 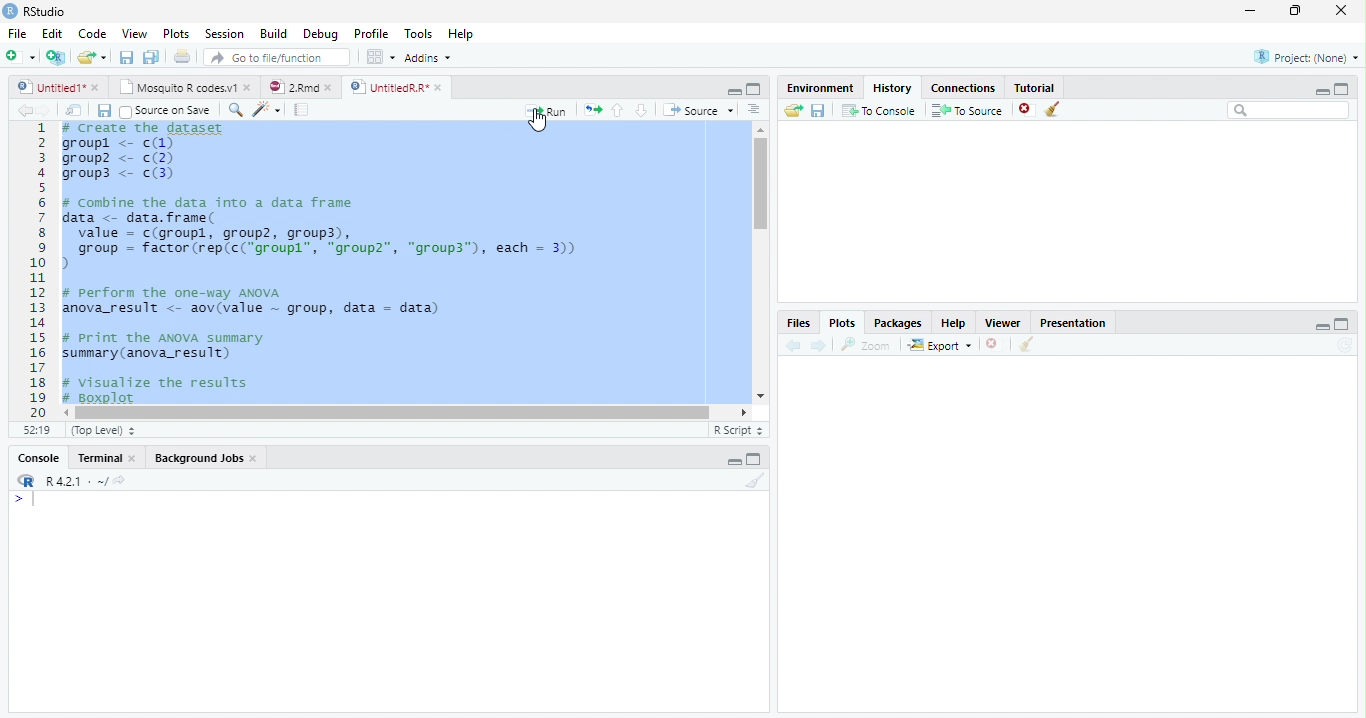 I want to click on Plots, so click(x=176, y=34).